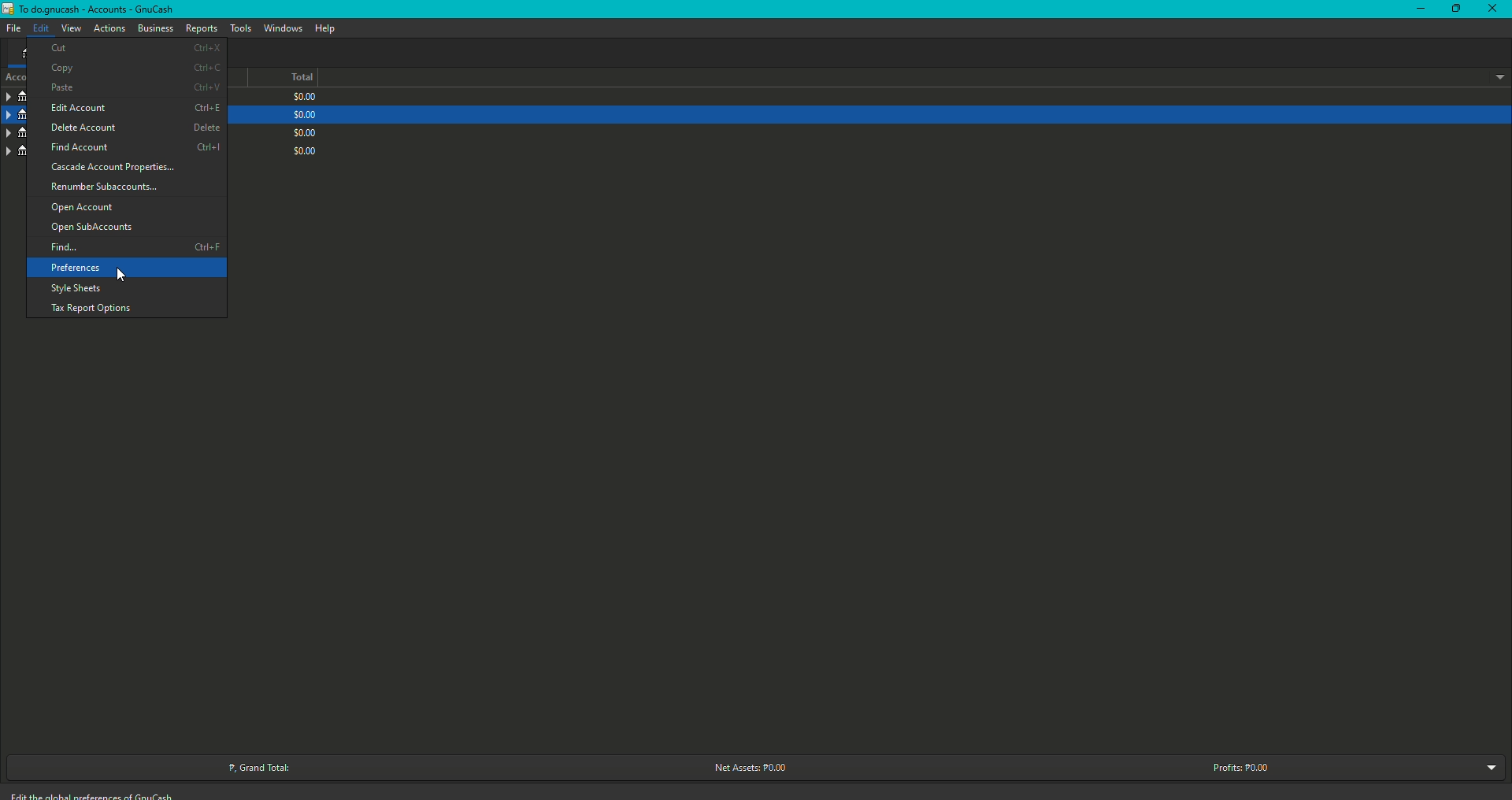 Image resolution: width=1512 pixels, height=800 pixels. I want to click on Cursor, so click(125, 274).